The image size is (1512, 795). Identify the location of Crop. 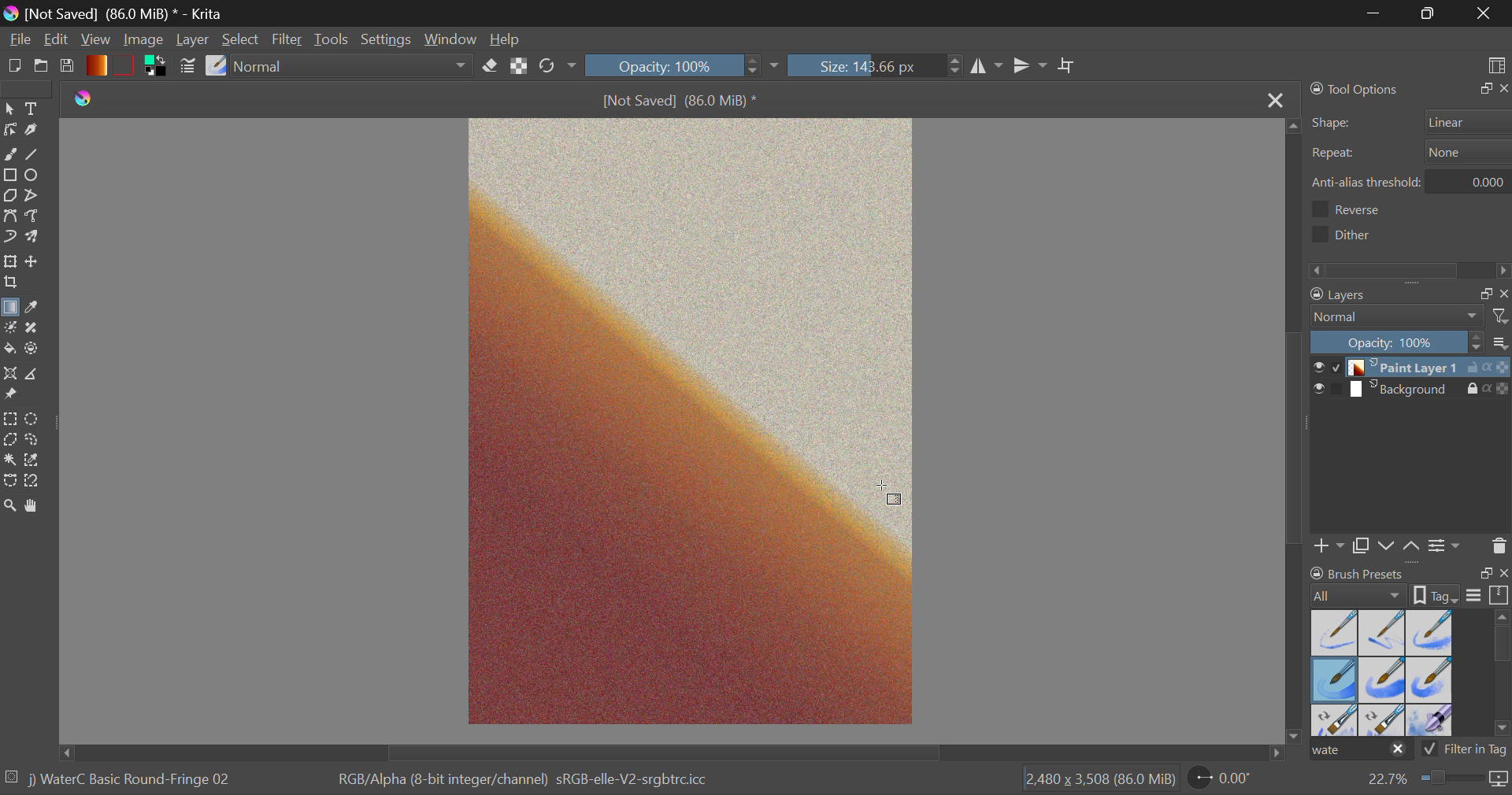
(1068, 67).